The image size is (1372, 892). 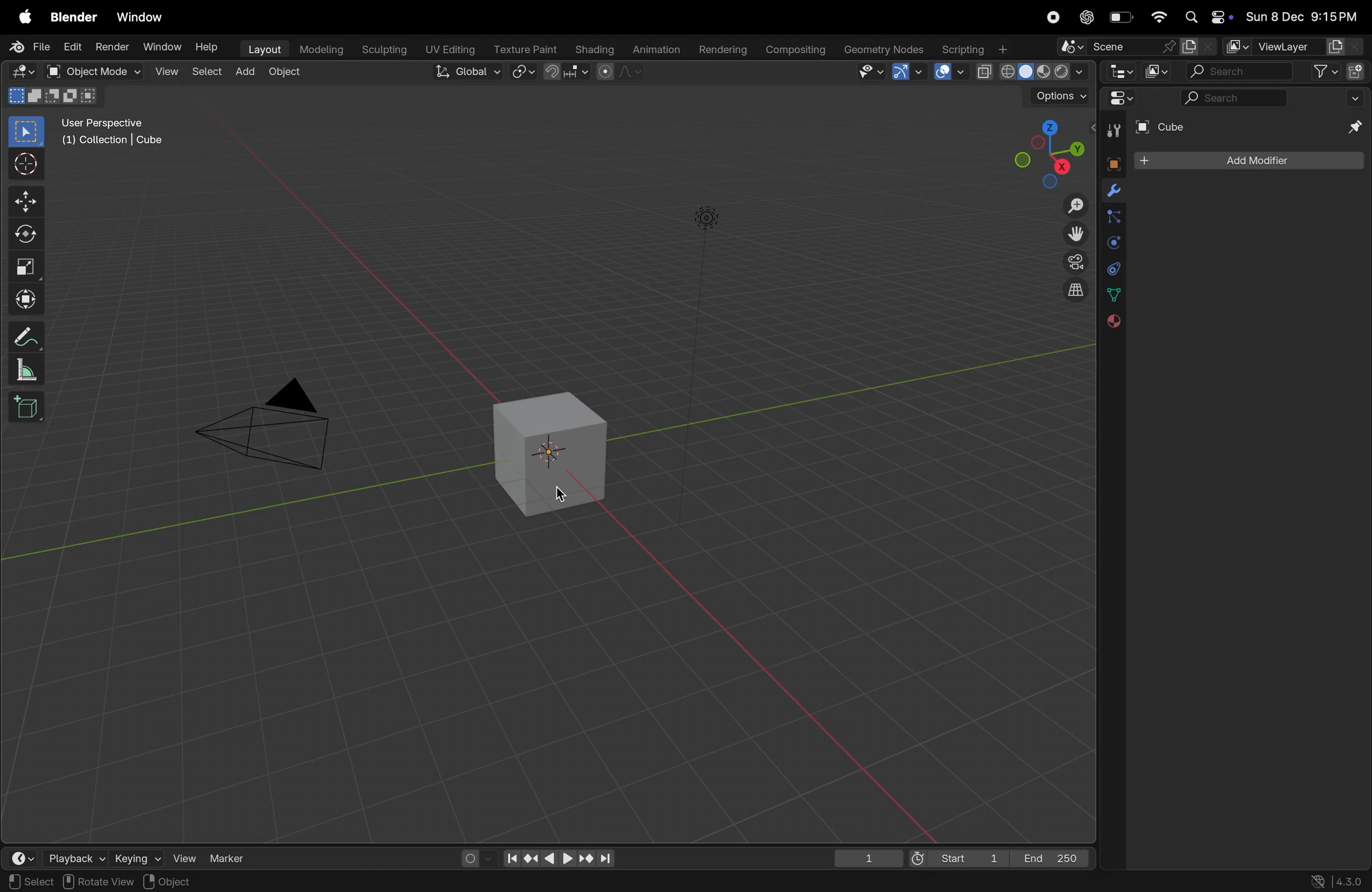 I want to click on searchbar, so click(x=1236, y=99).